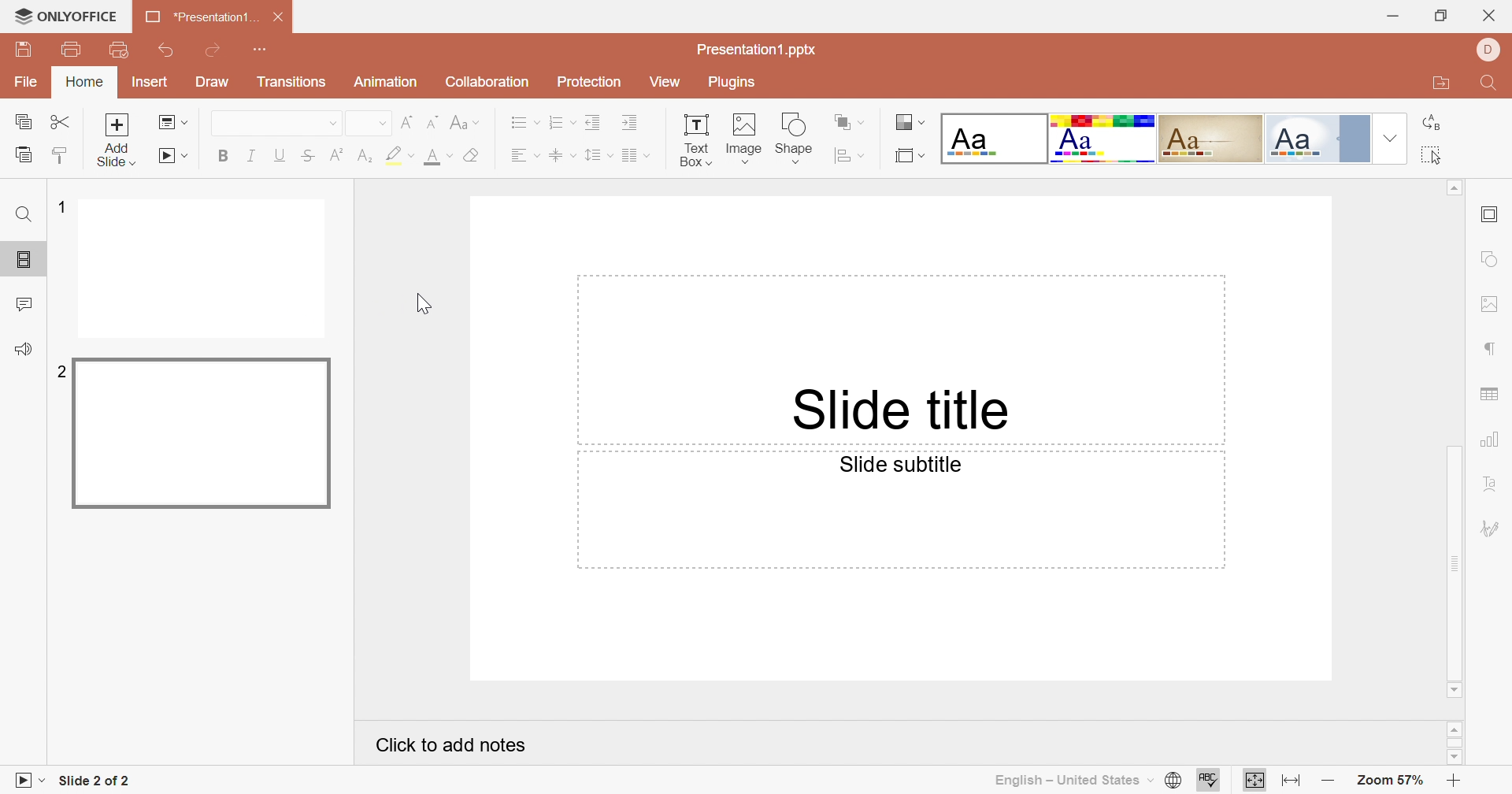 This screenshot has height=794, width=1512. Describe the element at coordinates (20, 261) in the screenshot. I see `Slides` at that location.